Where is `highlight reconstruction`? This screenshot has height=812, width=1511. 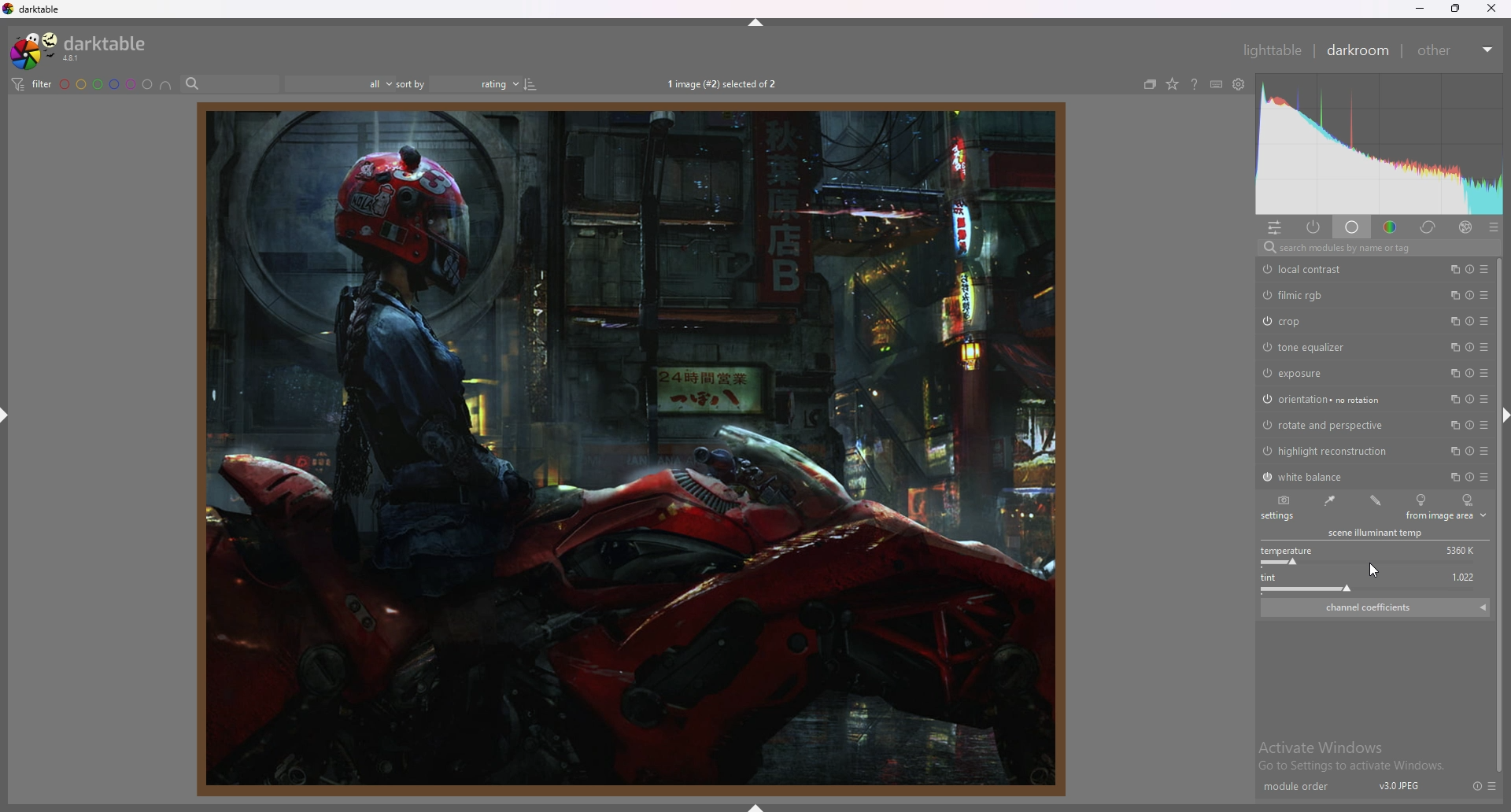
highlight reconstruction is located at coordinates (1329, 451).